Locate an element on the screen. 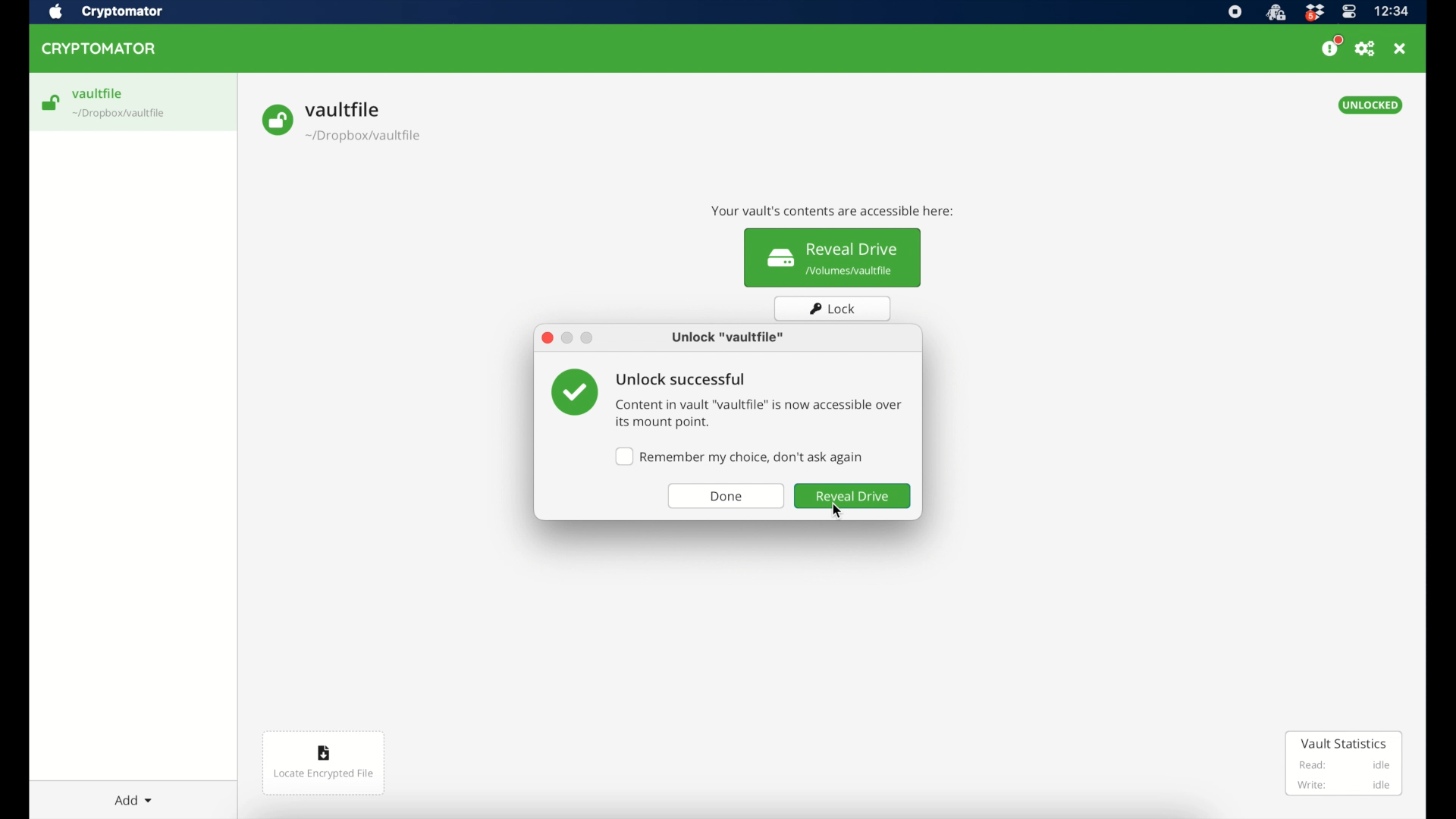 Image resolution: width=1456 pixels, height=819 pixels. unlocked is located at coordinates (1373, 105).